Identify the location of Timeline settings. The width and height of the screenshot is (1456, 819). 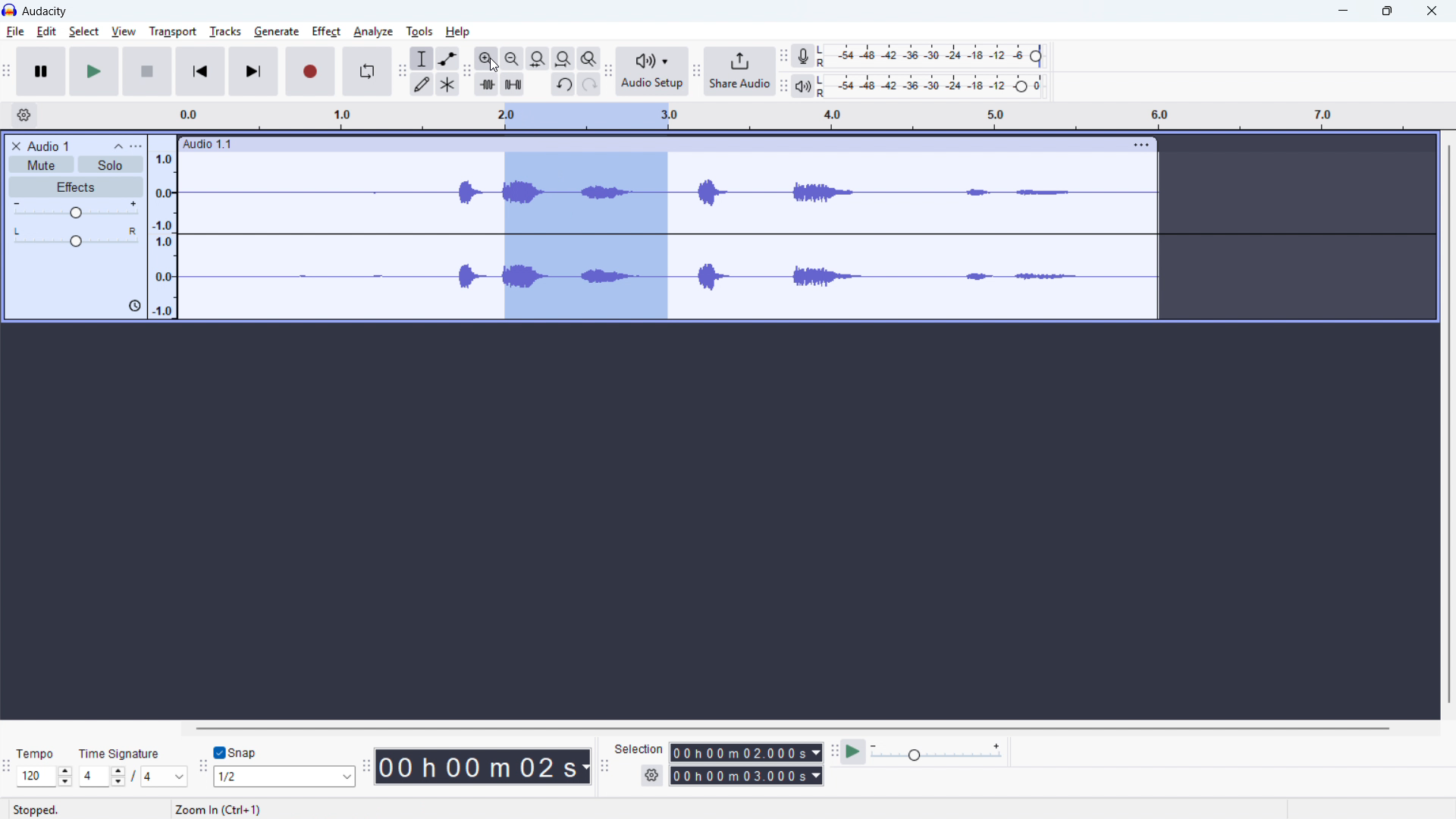
(24, 116).